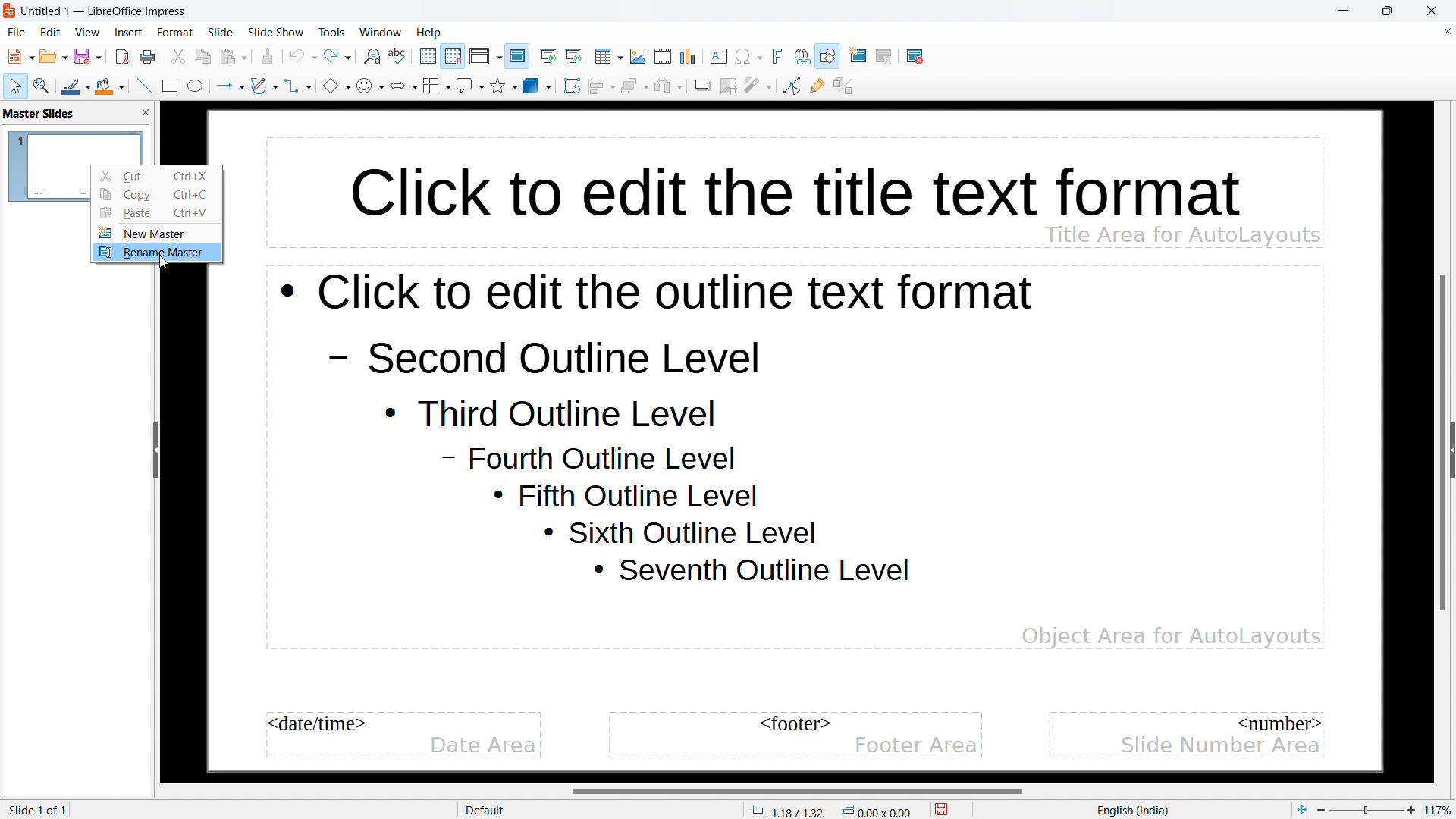 Image resolution: width=1456 pixels, height=819 pixels. I want to click on tools, so click(332, 33).